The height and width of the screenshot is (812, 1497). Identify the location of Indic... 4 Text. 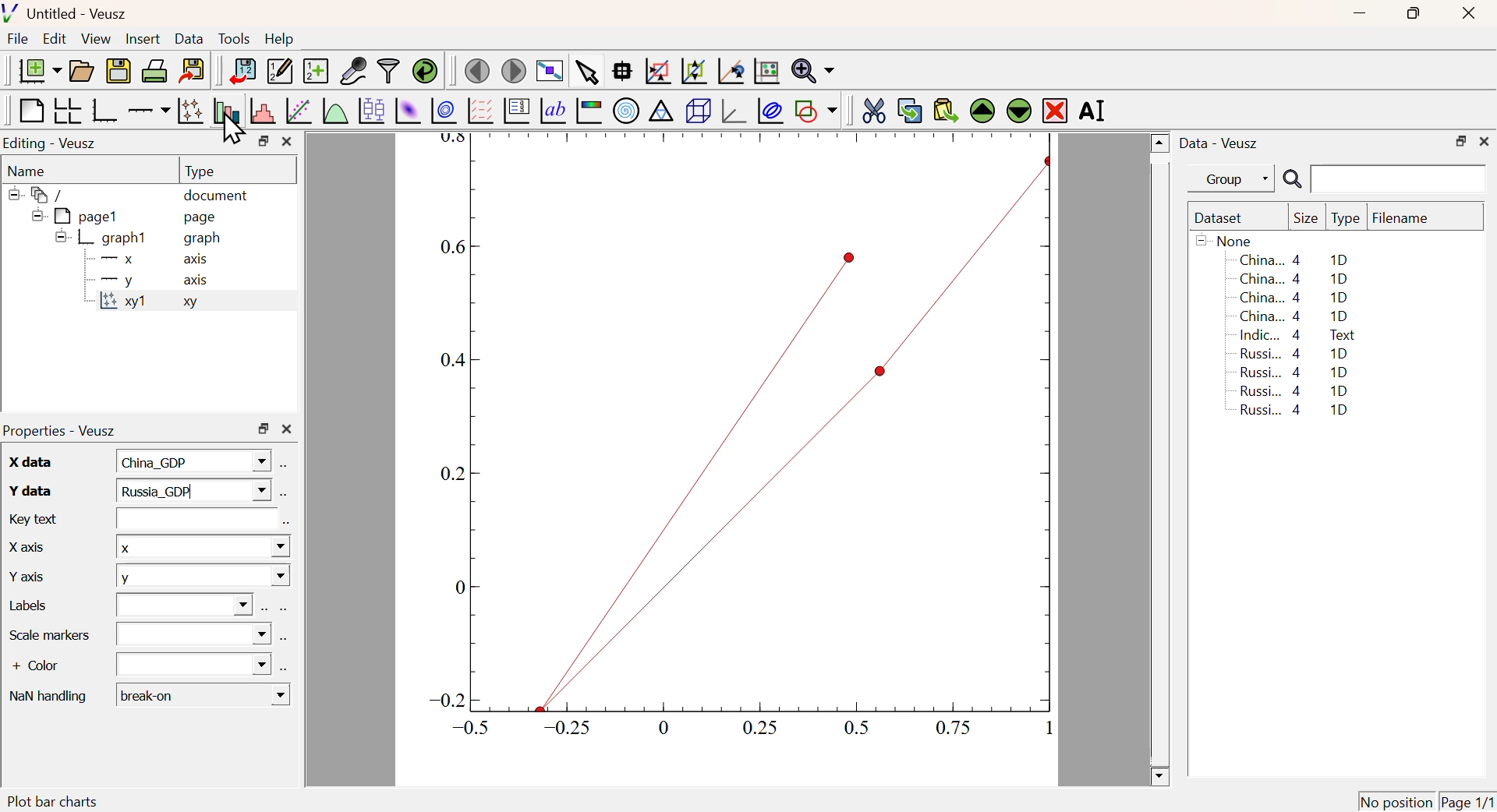
(1297, 335).